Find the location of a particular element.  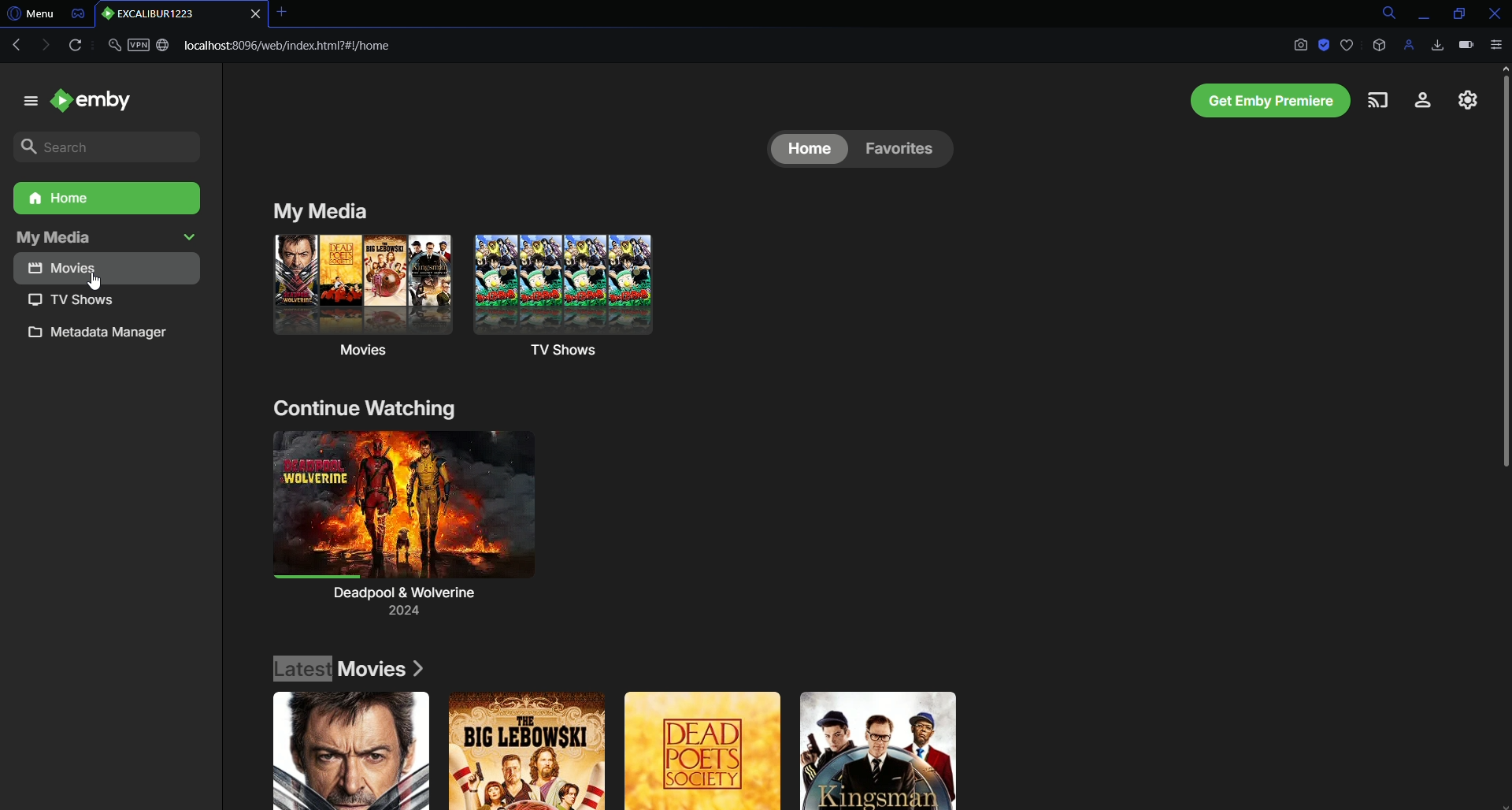

Extensions is located at coordinates (1379, 46).